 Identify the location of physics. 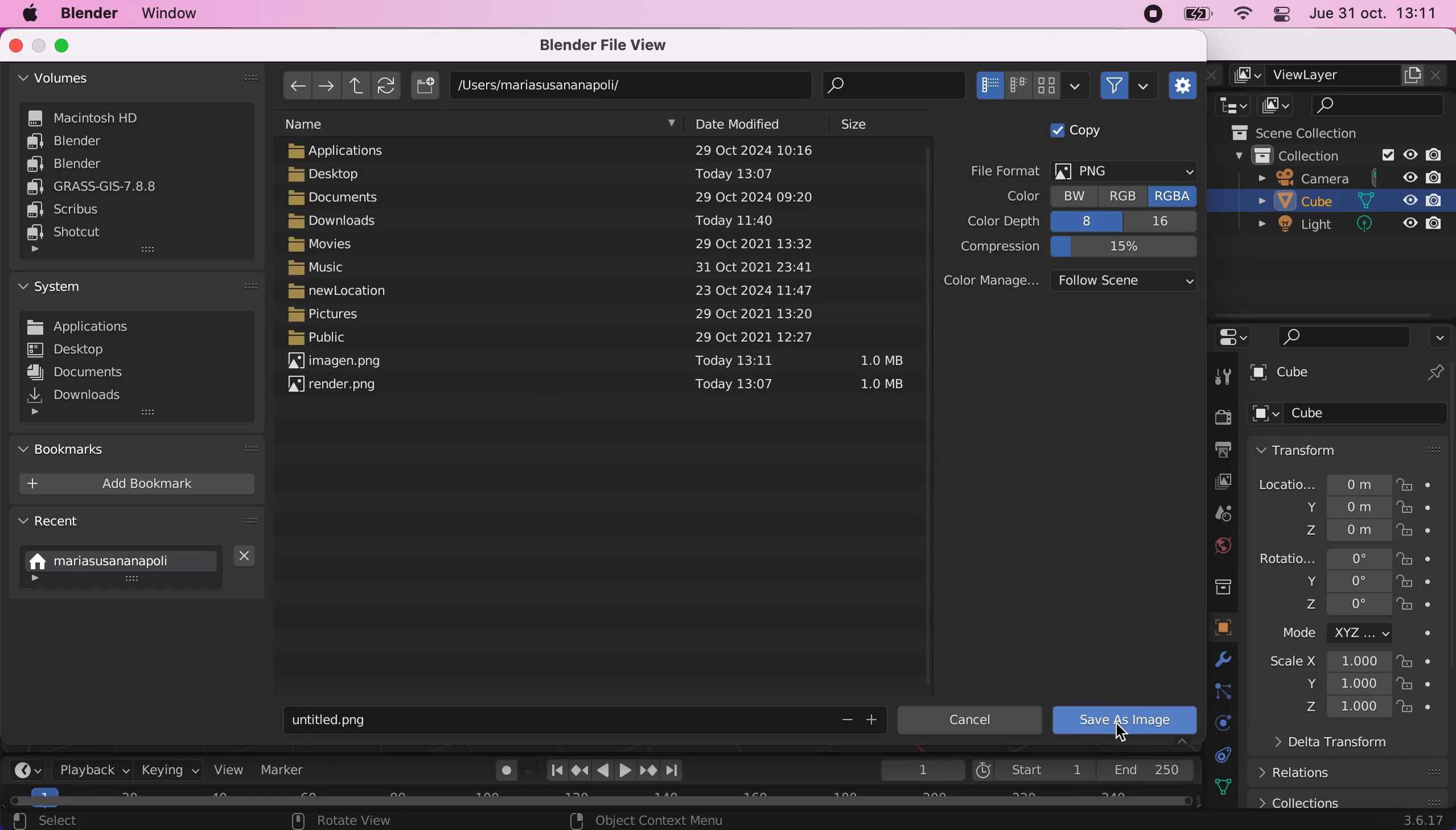
(1218, 722).